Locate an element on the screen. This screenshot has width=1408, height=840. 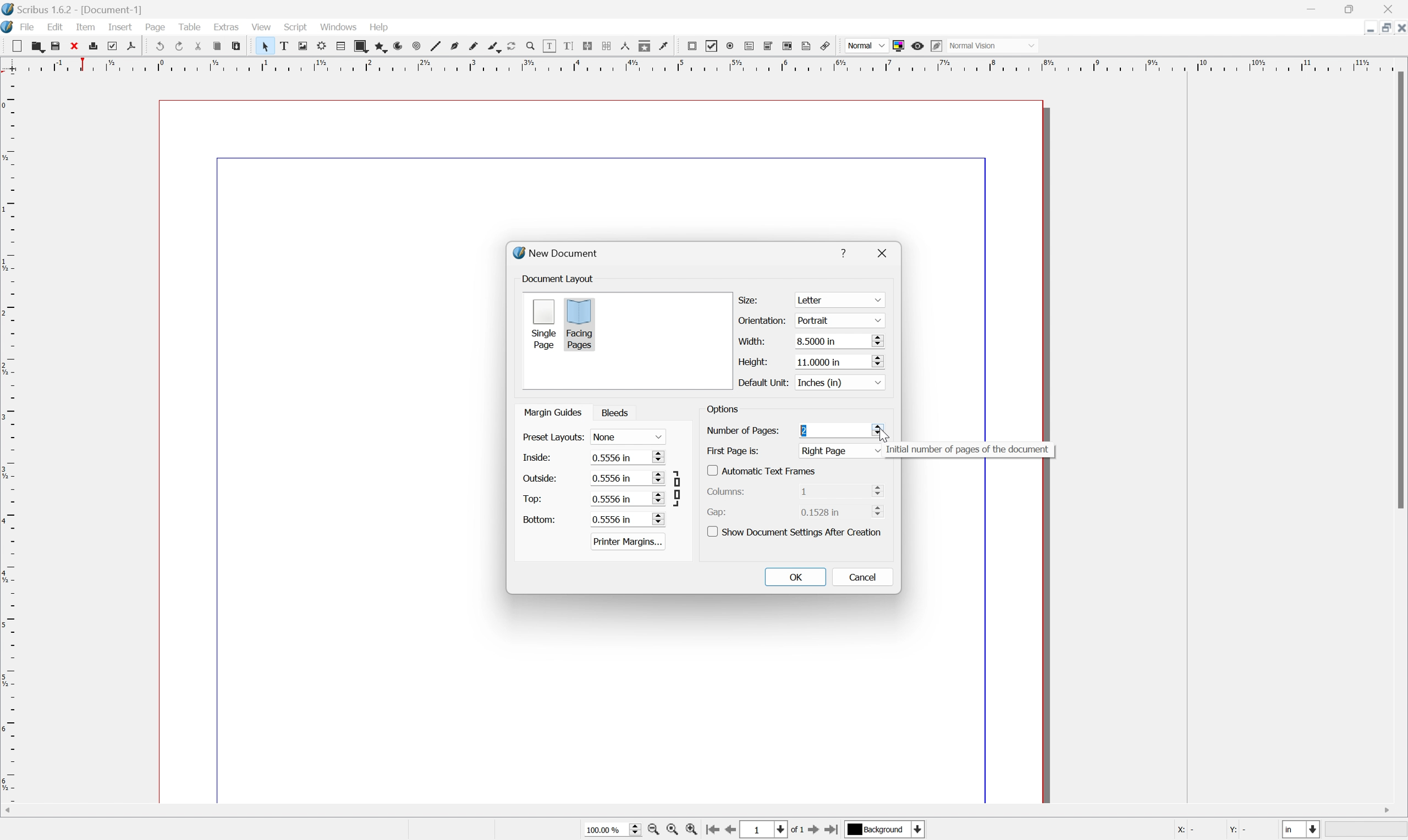
letter is located at coordinates (840, 300).